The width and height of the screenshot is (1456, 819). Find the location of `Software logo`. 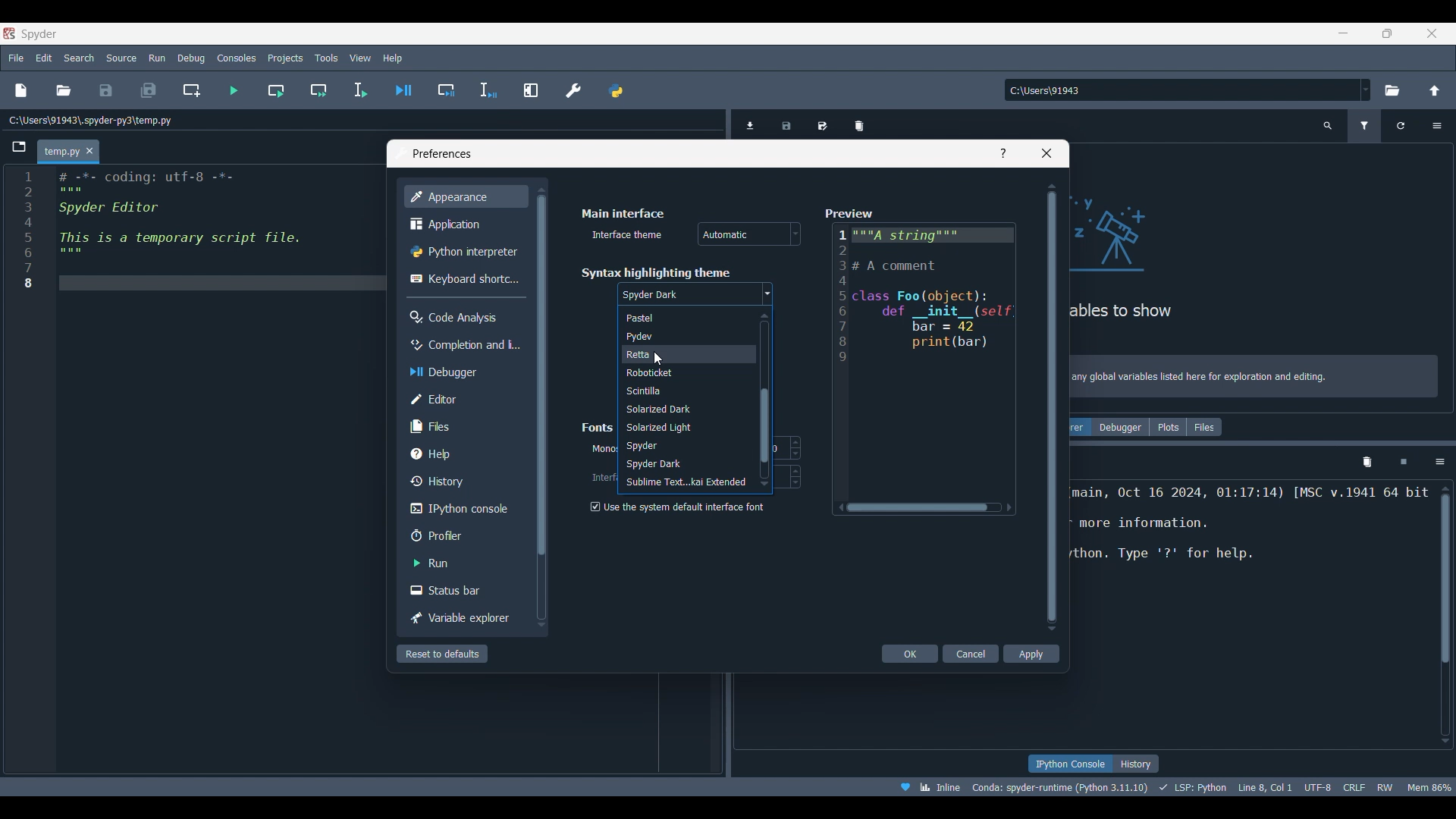

Software logo is located at coordinates (9, 33).